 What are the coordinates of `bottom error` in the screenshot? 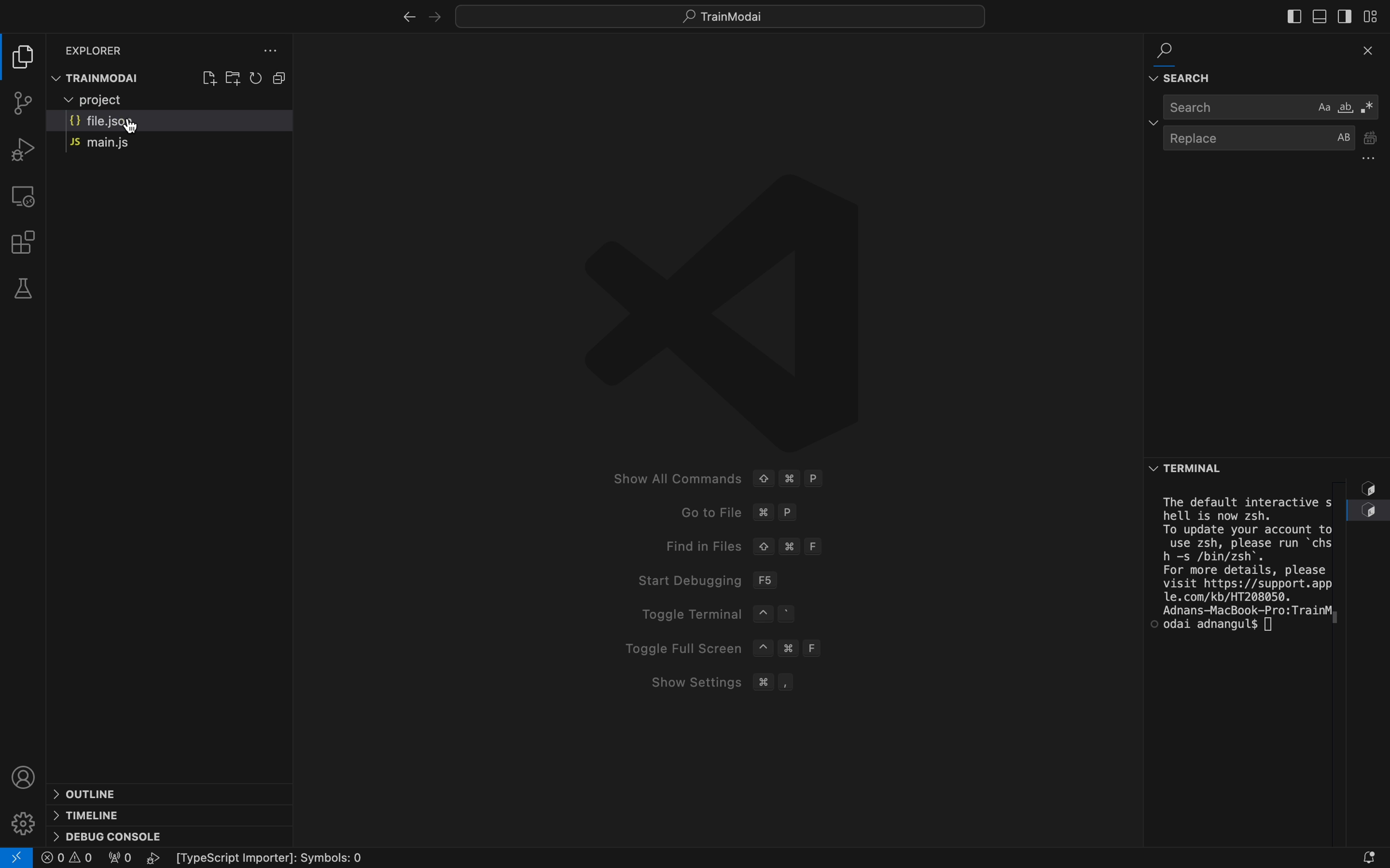 It's located at (1370, 505).